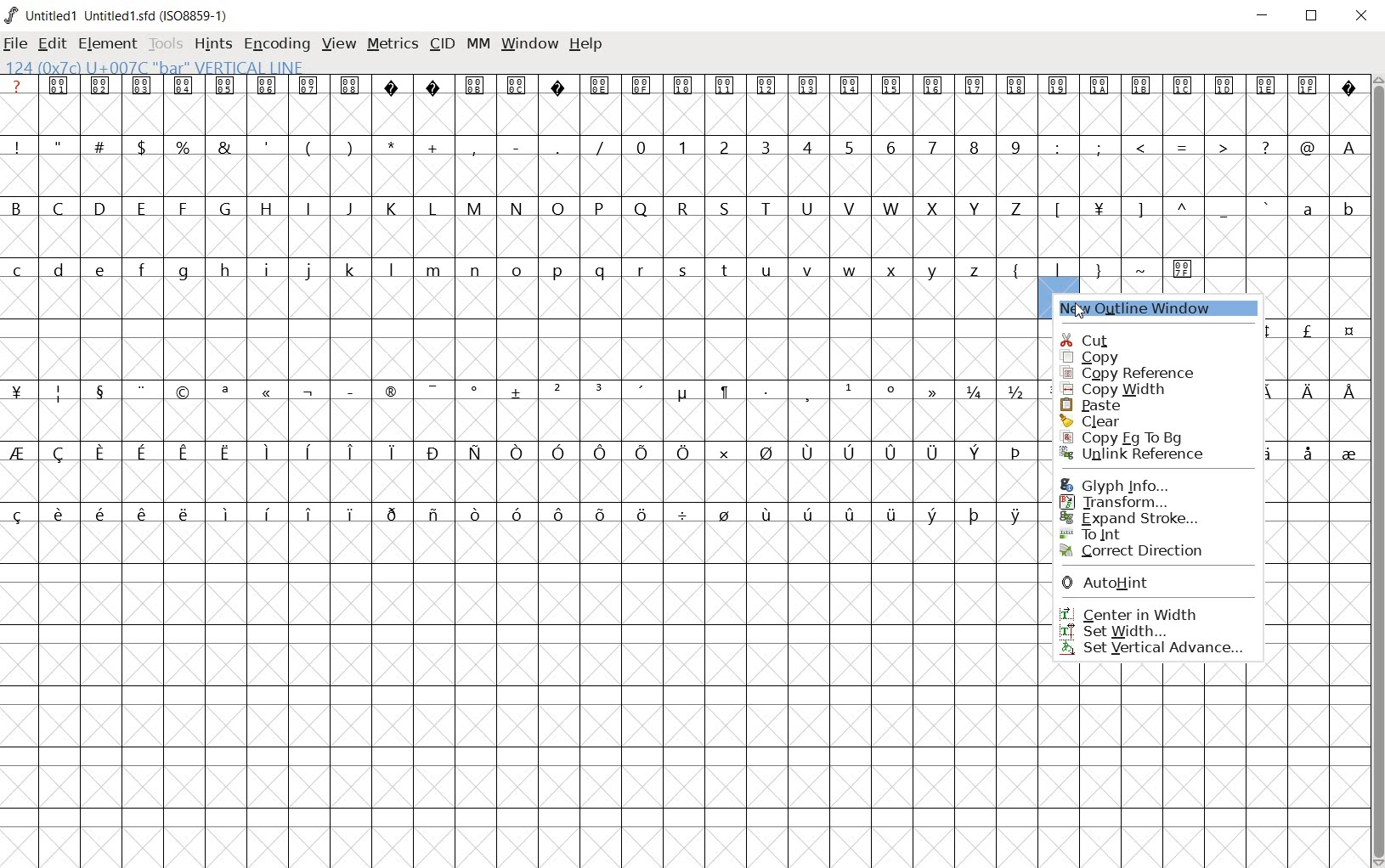 This screenshot has width=1385, height=868. I want to click on CURSOR, so click(1079, 307).